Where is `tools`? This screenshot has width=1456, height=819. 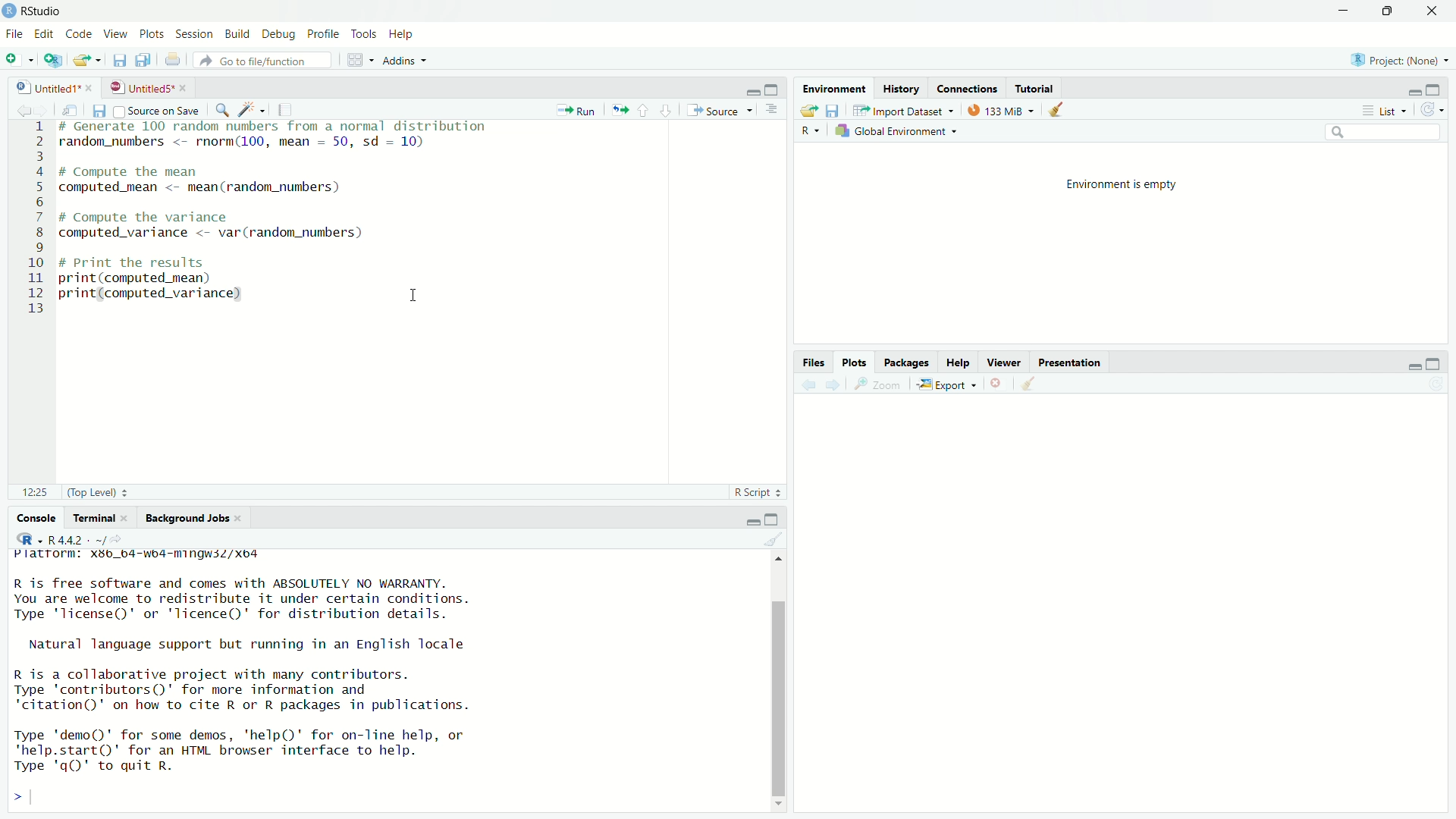 tools is located at coordinates (364, 32).